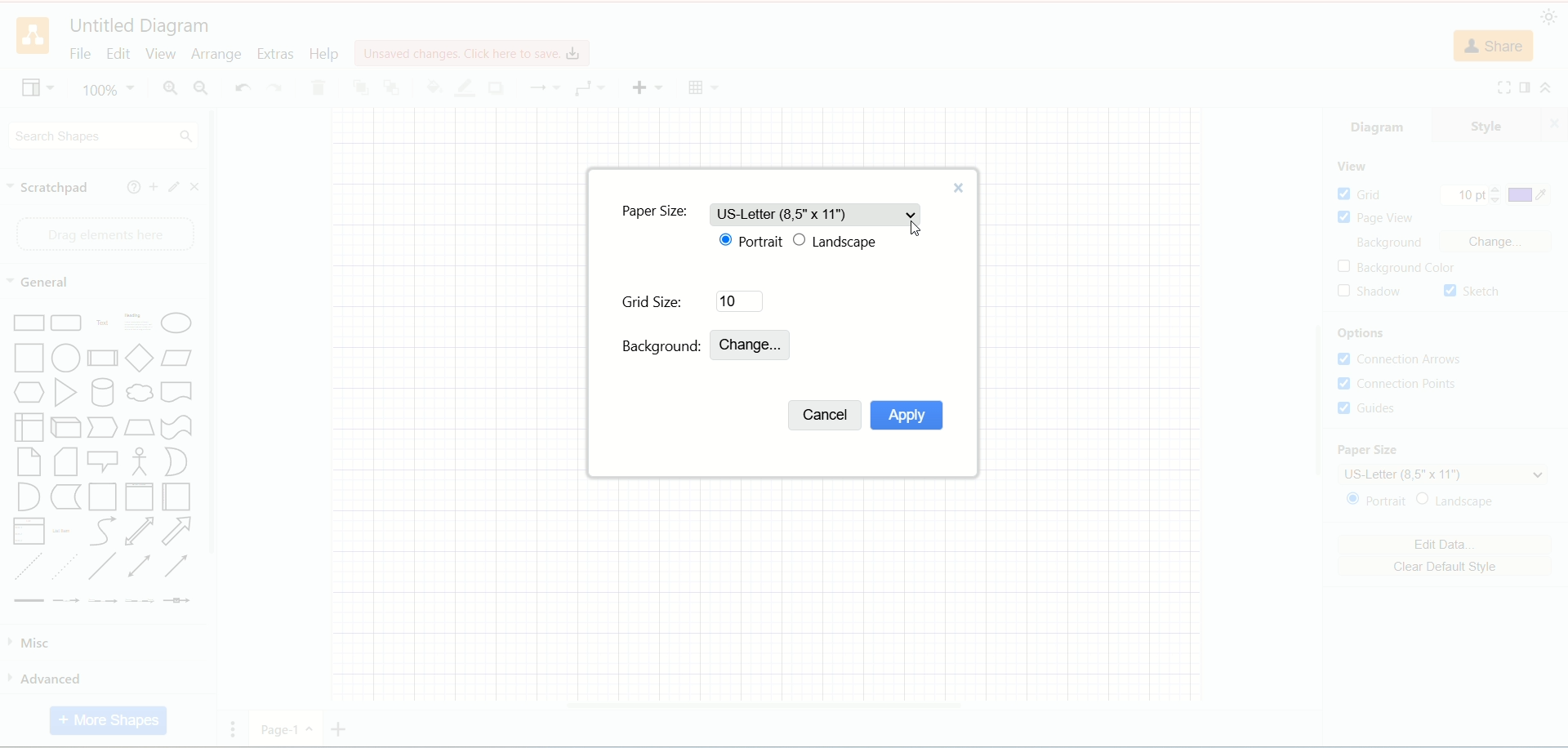  What do you see at coordinates (202, 87) in the screenshot?
I see `zoom out` at bounding box center [202, 87].